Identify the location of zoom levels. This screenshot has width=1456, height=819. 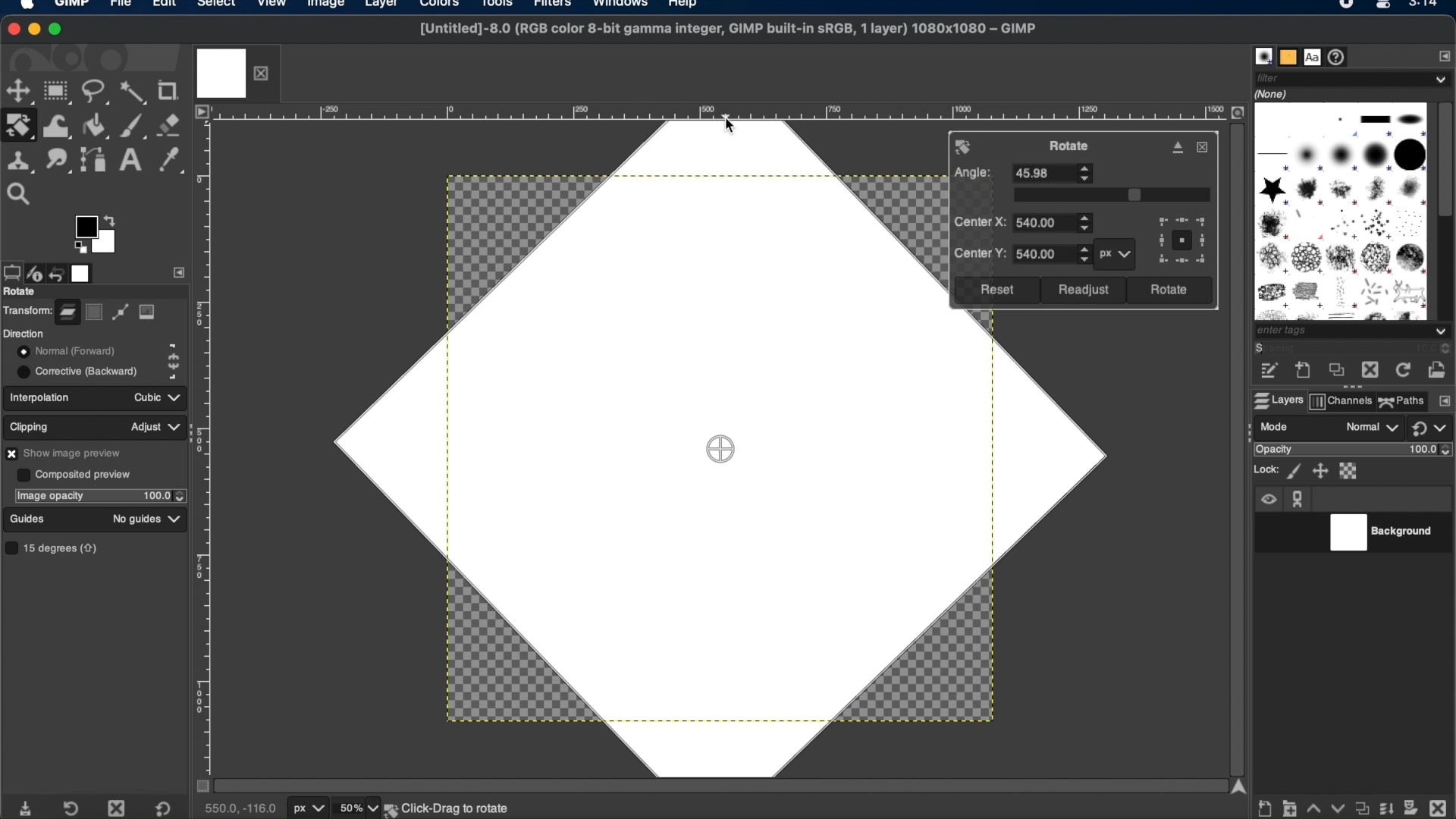
(359, 808).